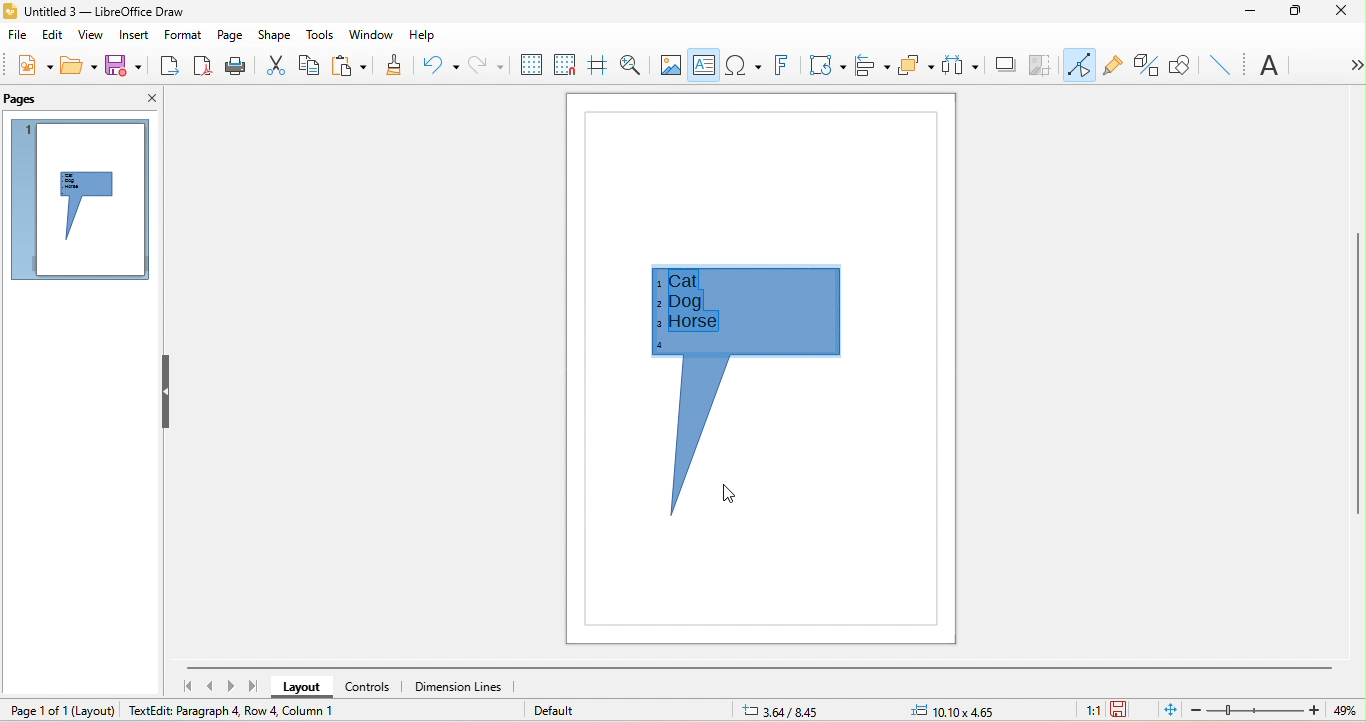 This screenshot has height=722, width=1366. What do you see at coordinates (827, 68) in the screenshot?
I see `transformation` at bounding box center [827, 68].